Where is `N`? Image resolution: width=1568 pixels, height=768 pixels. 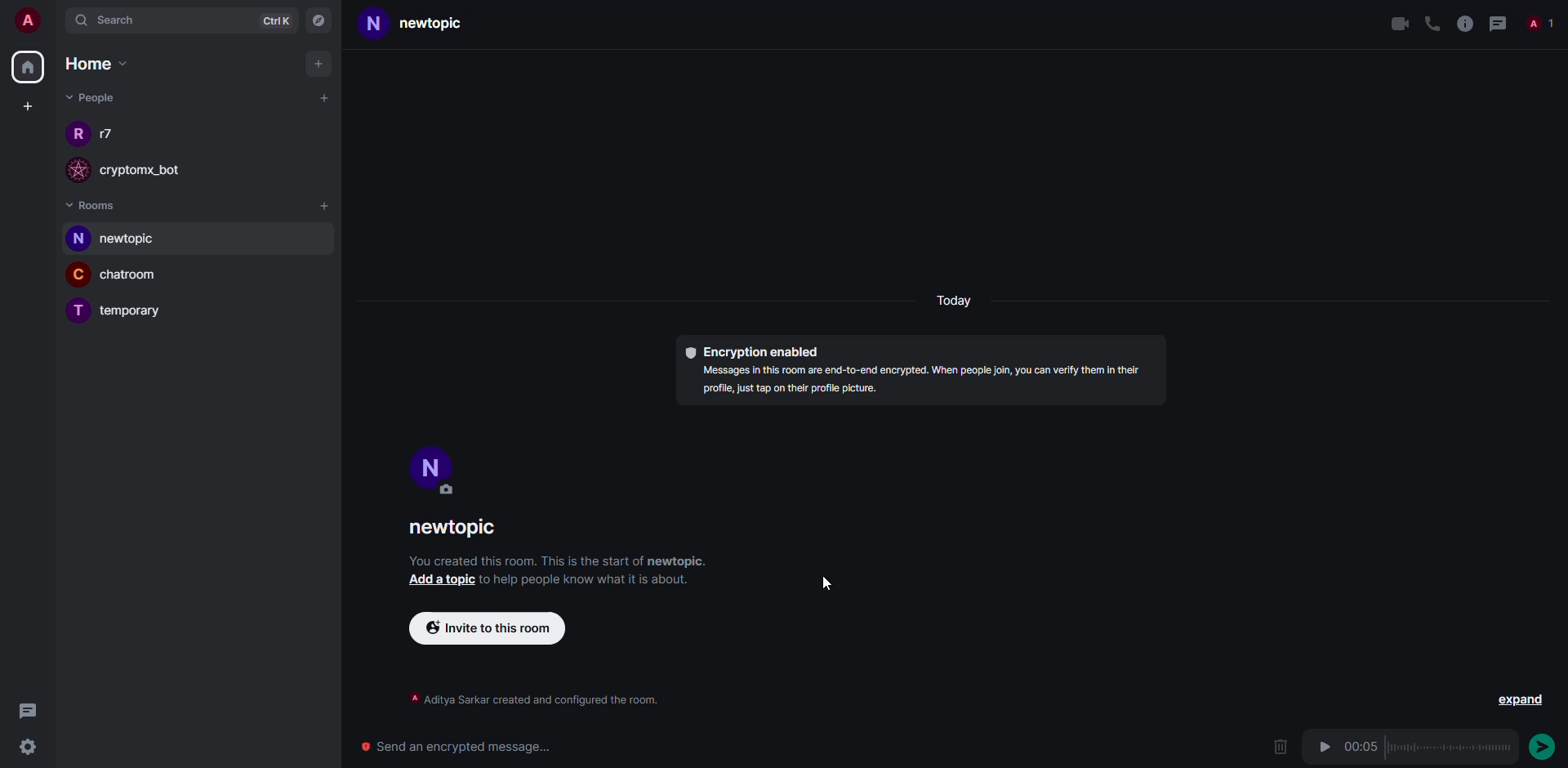
N is located at coordinates (374, 25).